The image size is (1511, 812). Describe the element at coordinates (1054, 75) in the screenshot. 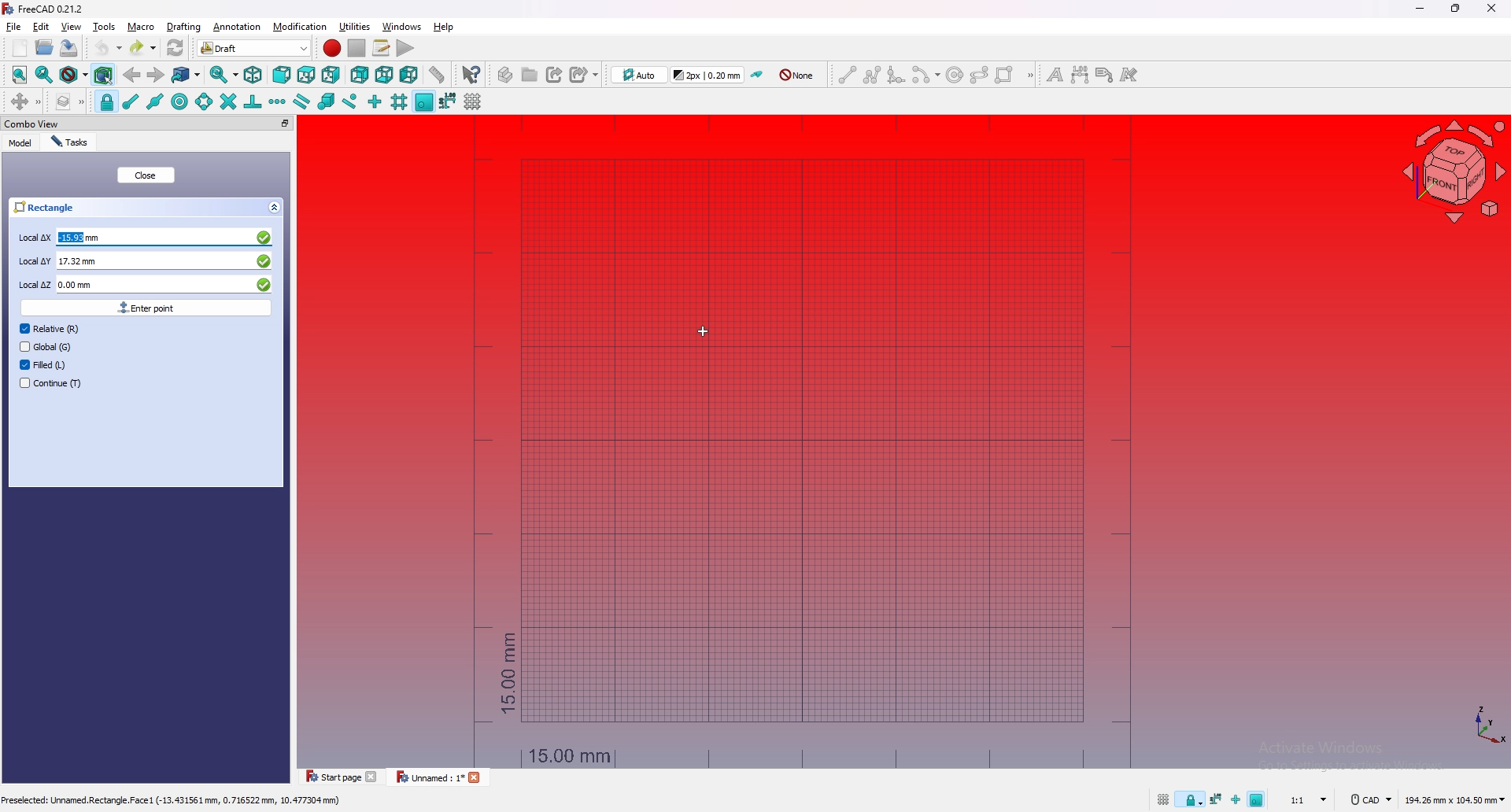

I see `text` at that location.